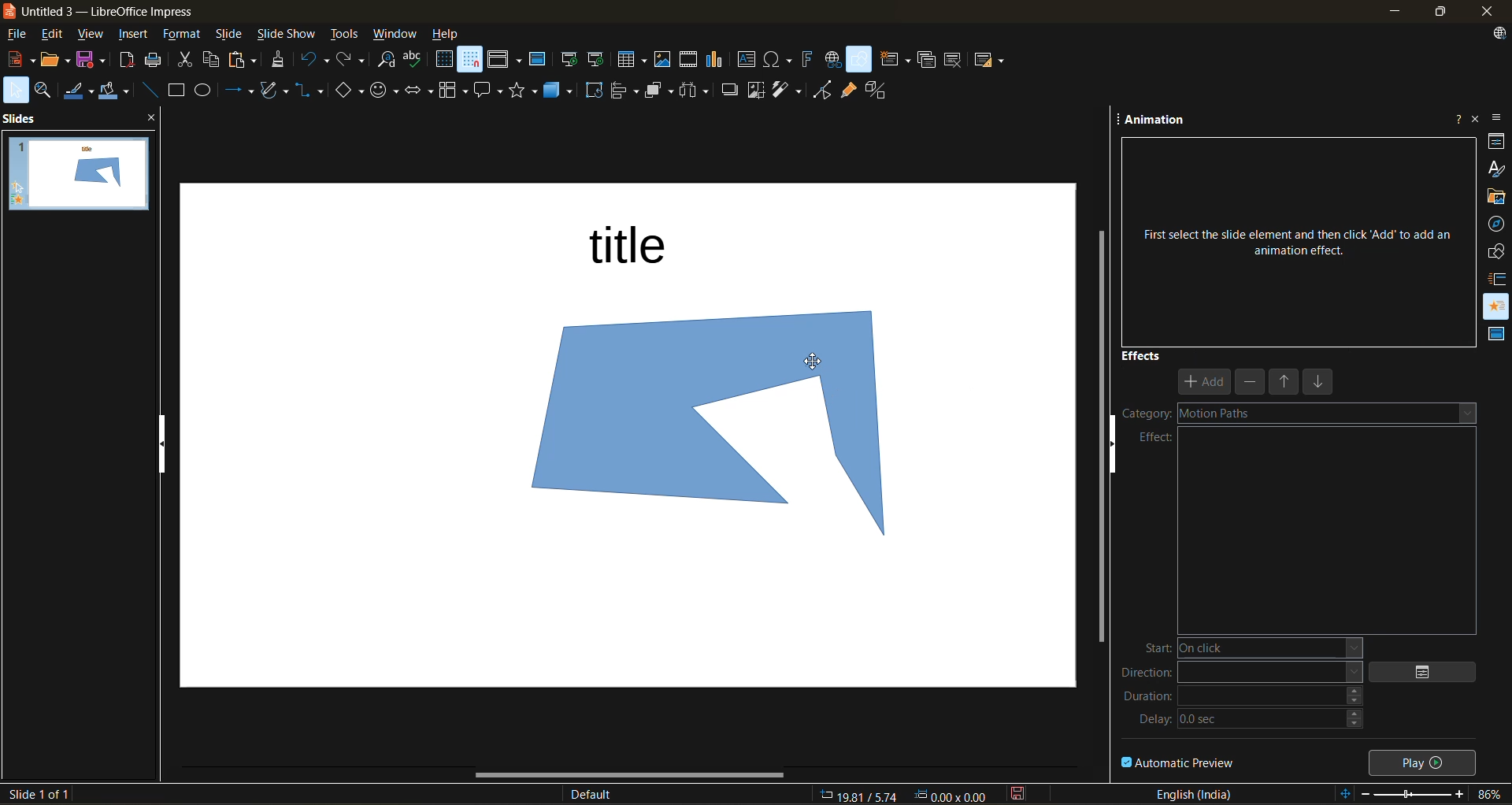 Image resolution: width=1512 pixels, height=805 pixels. Describe the element at coordinates (1155, 121) in the screenshot. I see `animation` at that location.